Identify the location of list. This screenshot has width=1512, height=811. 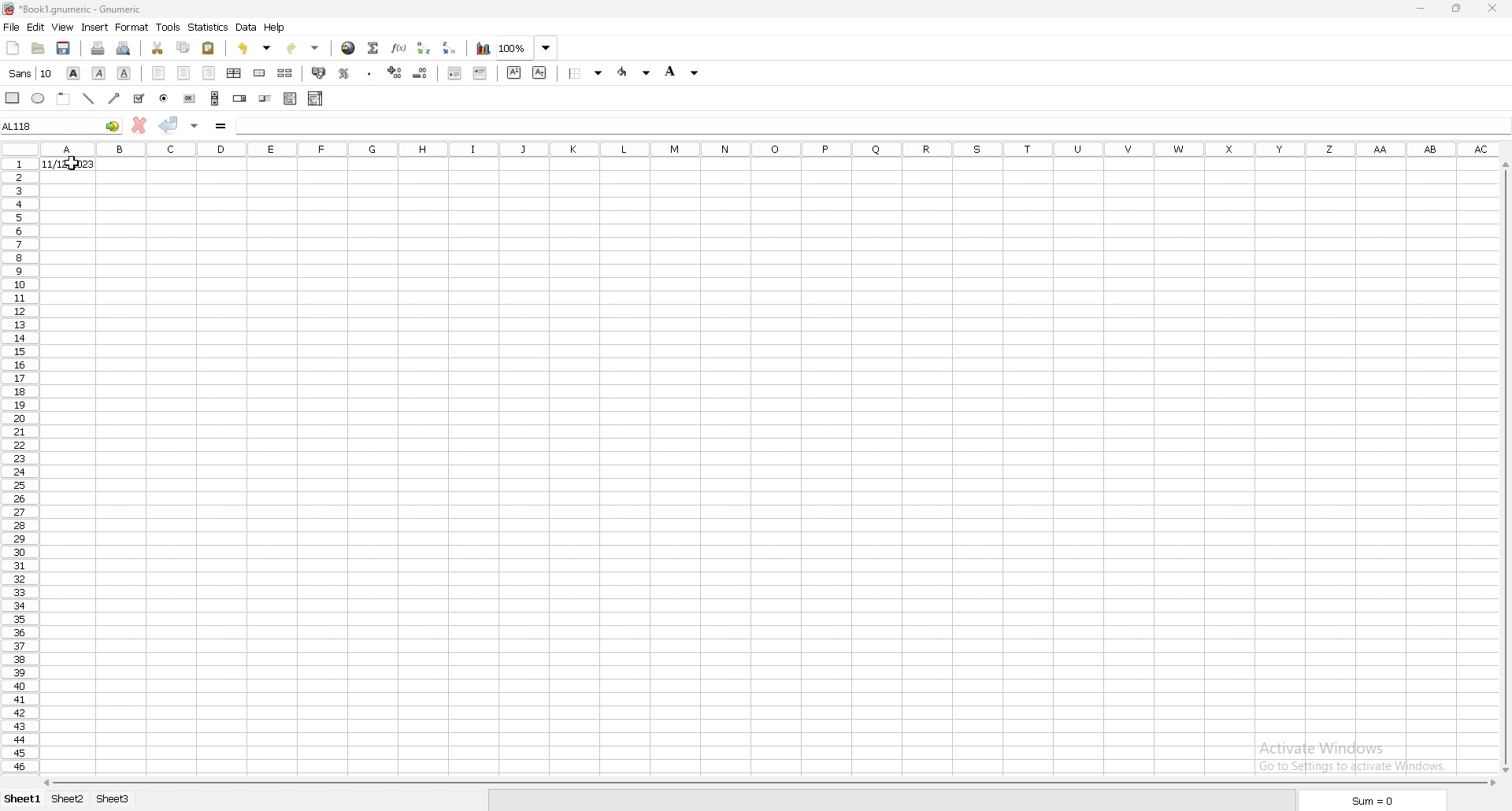
(291, 99).